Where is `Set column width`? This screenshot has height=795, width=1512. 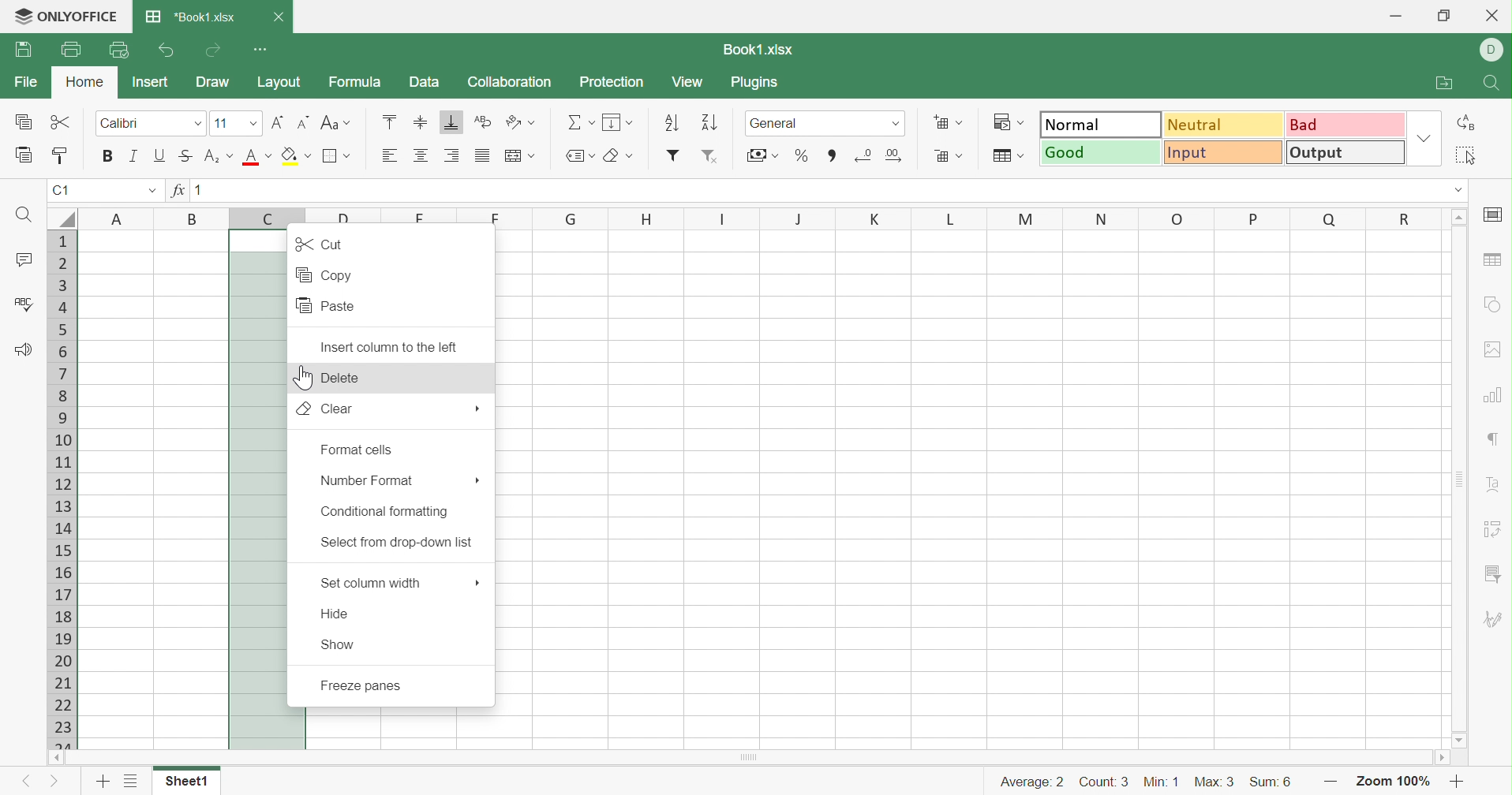
Set column width is located at coordinates (369, 580).